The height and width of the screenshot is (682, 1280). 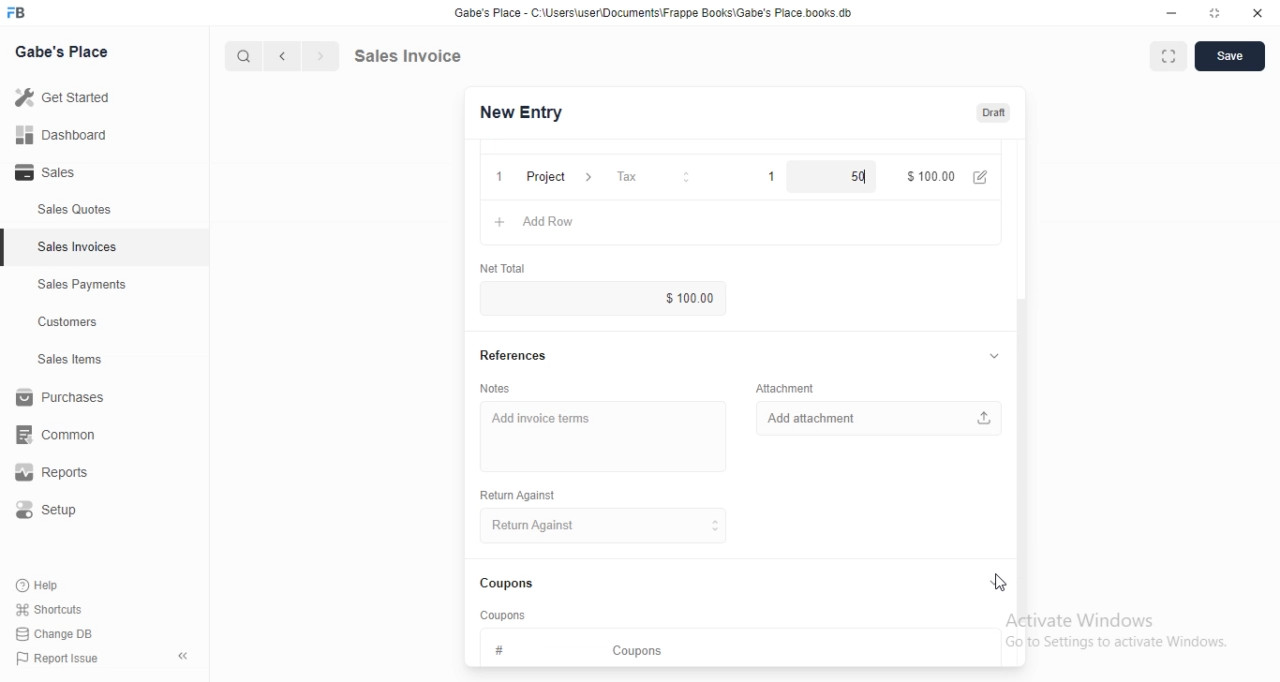 I want to click on Return Against, so click(x=606, y=526).